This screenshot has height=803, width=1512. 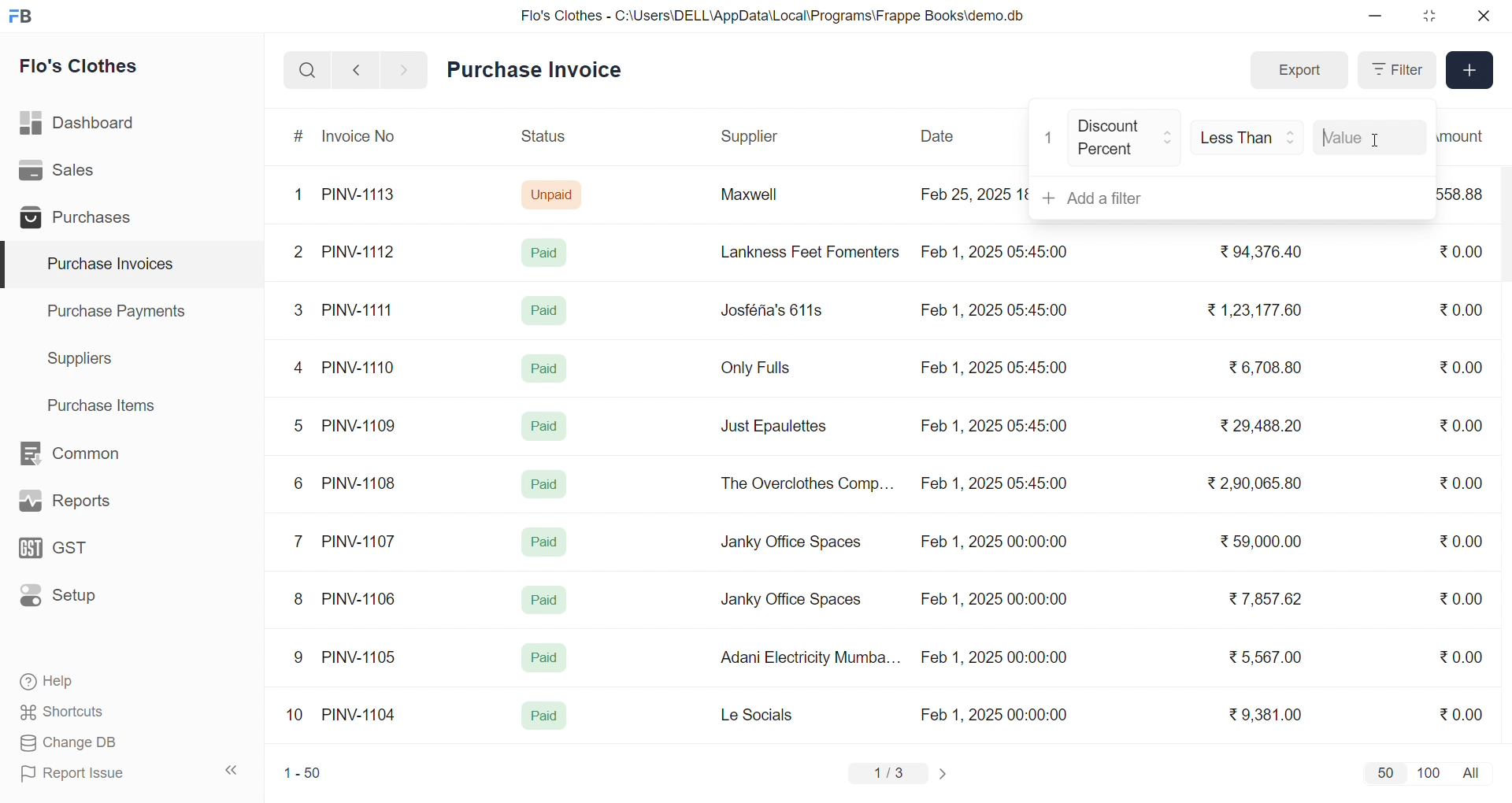 I want to click on close, so click(x=1482, y=16).